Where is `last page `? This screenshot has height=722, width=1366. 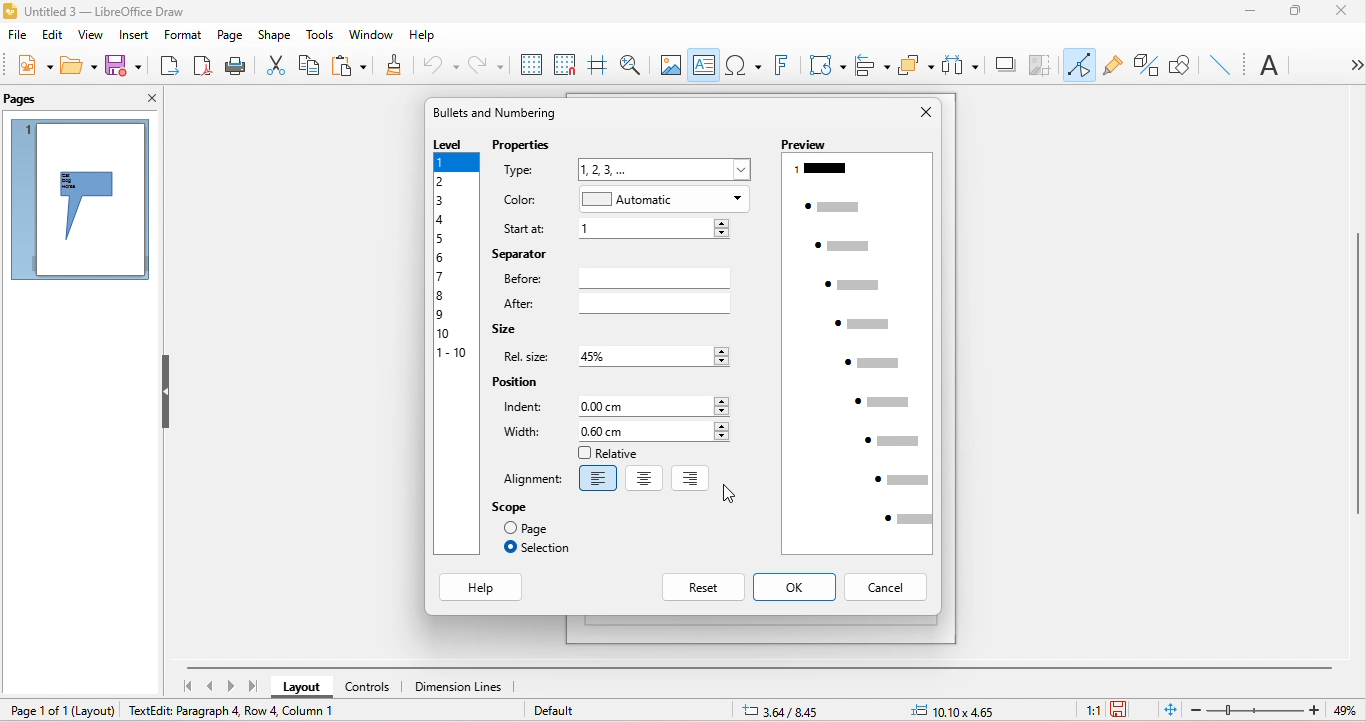
last page  is located at coordinates (257, 688).